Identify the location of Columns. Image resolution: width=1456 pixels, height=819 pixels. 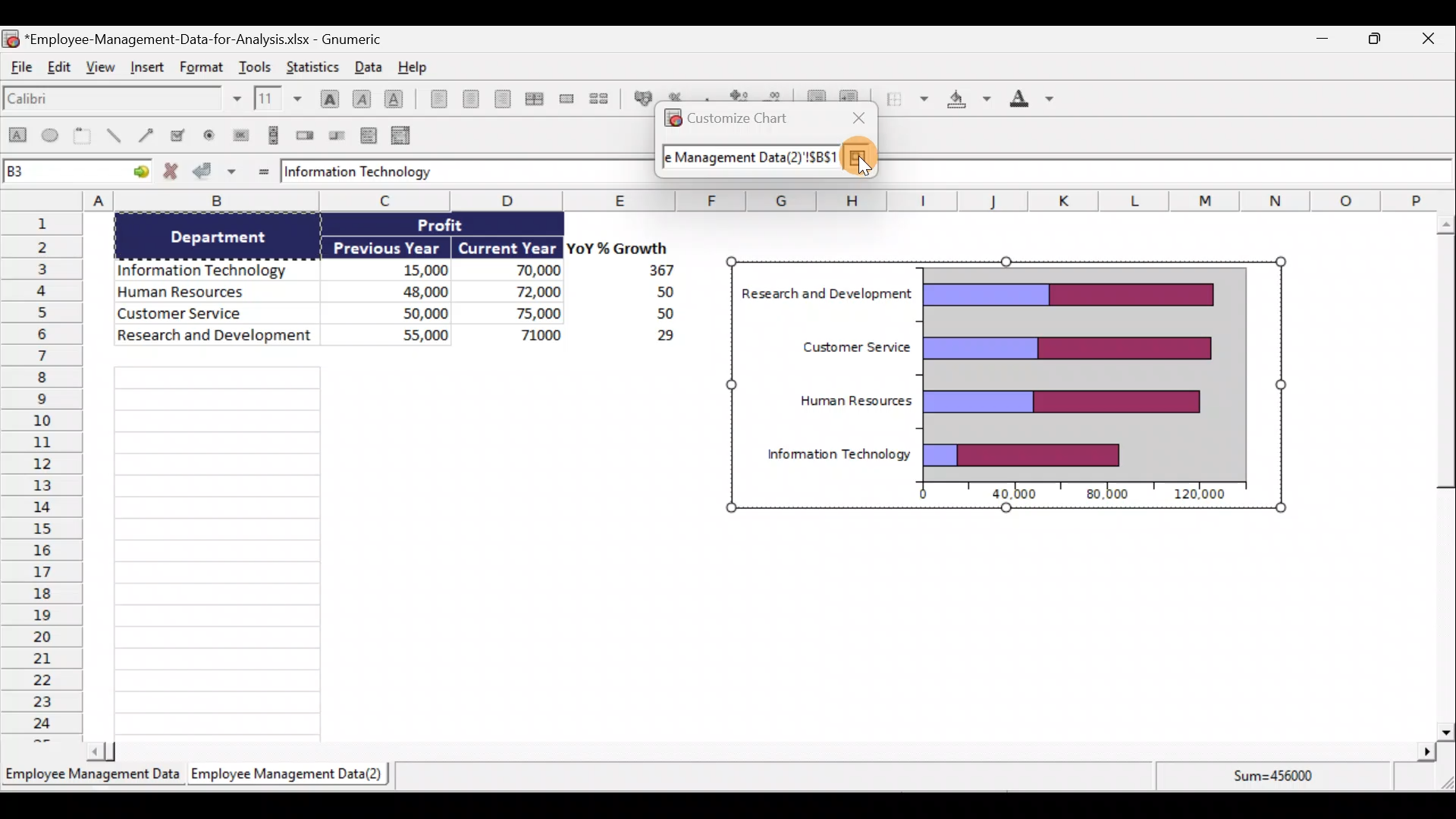
(772, 199).